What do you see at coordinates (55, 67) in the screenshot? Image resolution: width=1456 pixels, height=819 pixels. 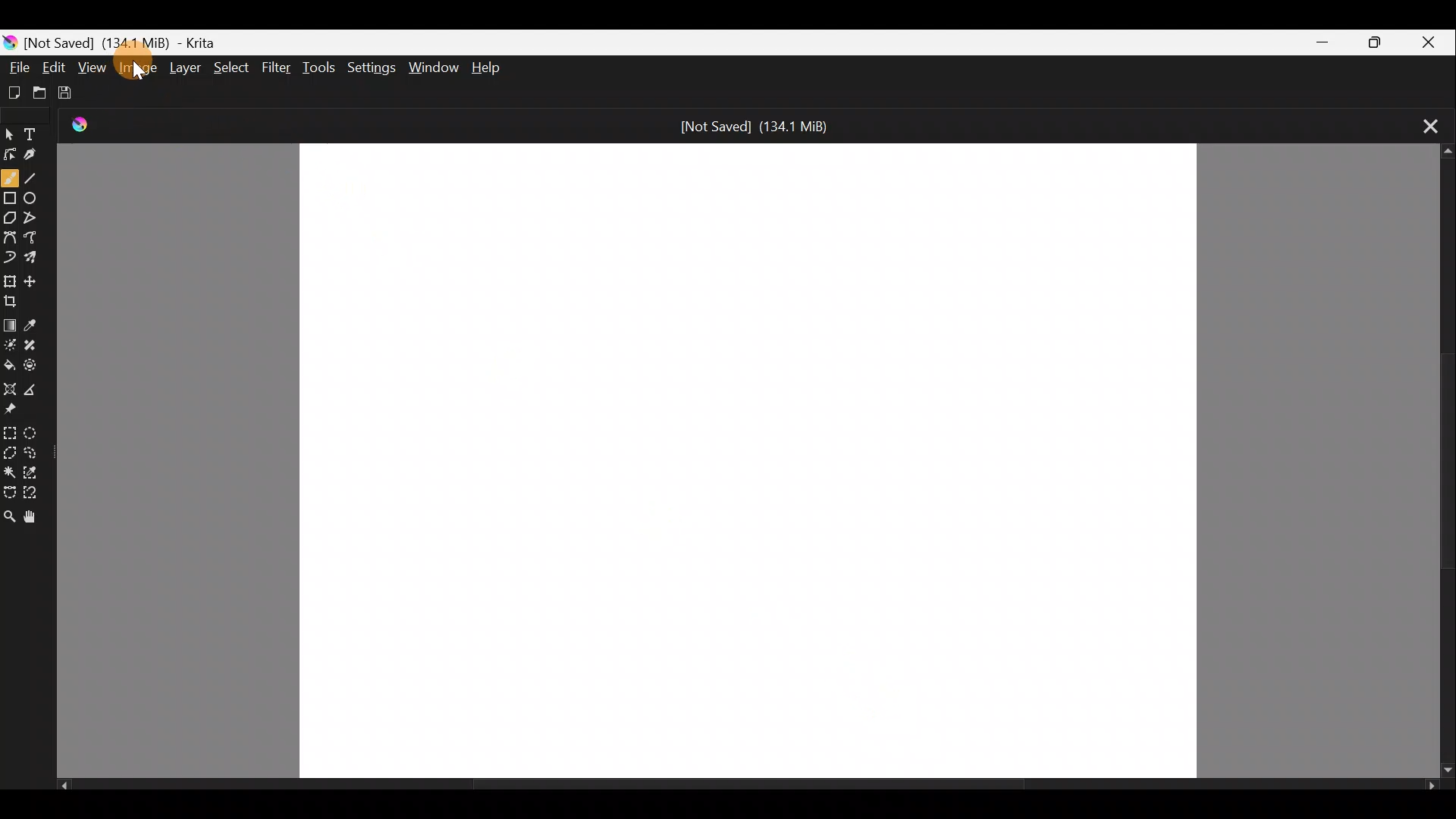 I see `Edit` at bounding box center [55, 67].